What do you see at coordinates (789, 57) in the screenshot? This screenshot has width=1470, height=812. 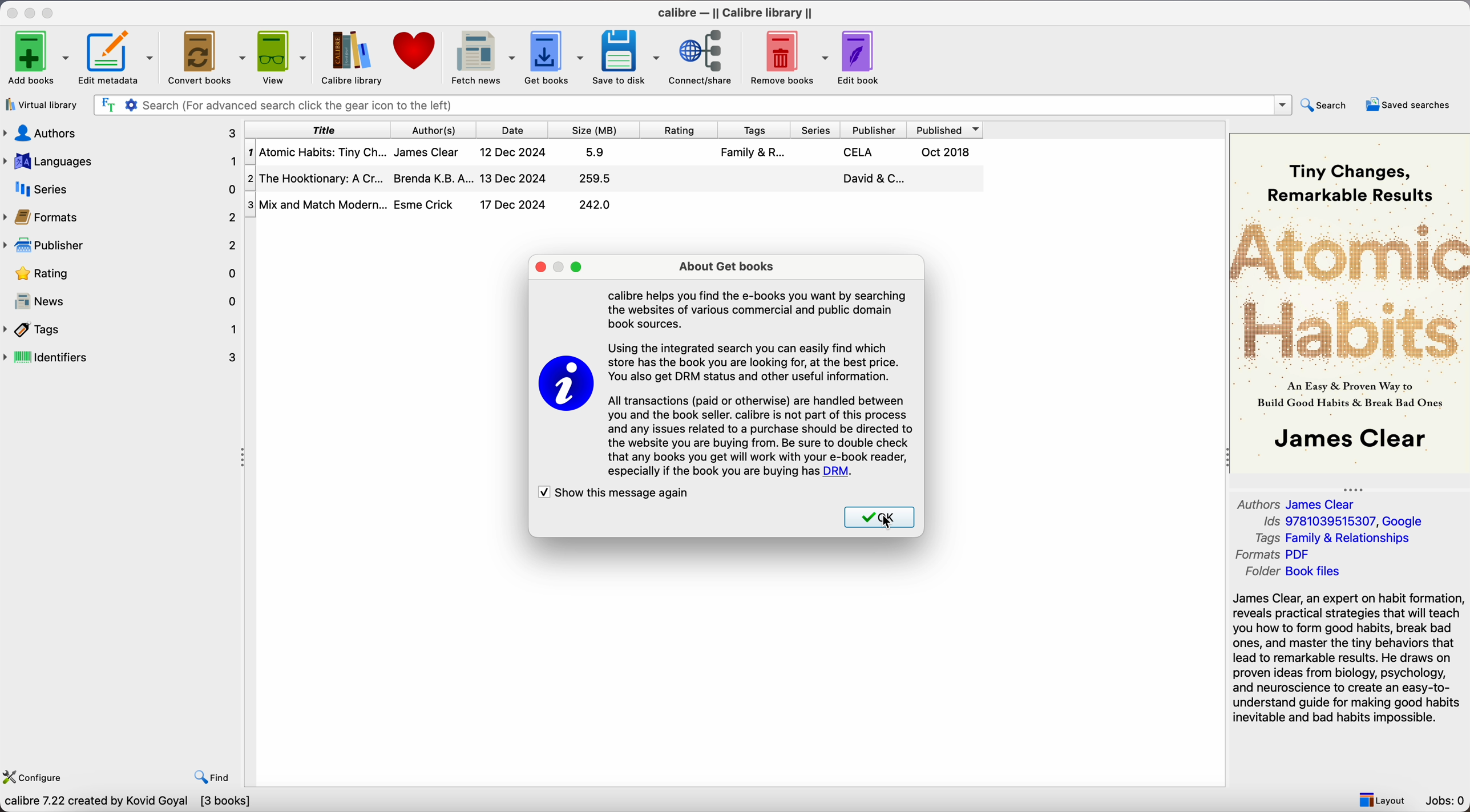 I see `remove books` at bounding box center [789, 57].